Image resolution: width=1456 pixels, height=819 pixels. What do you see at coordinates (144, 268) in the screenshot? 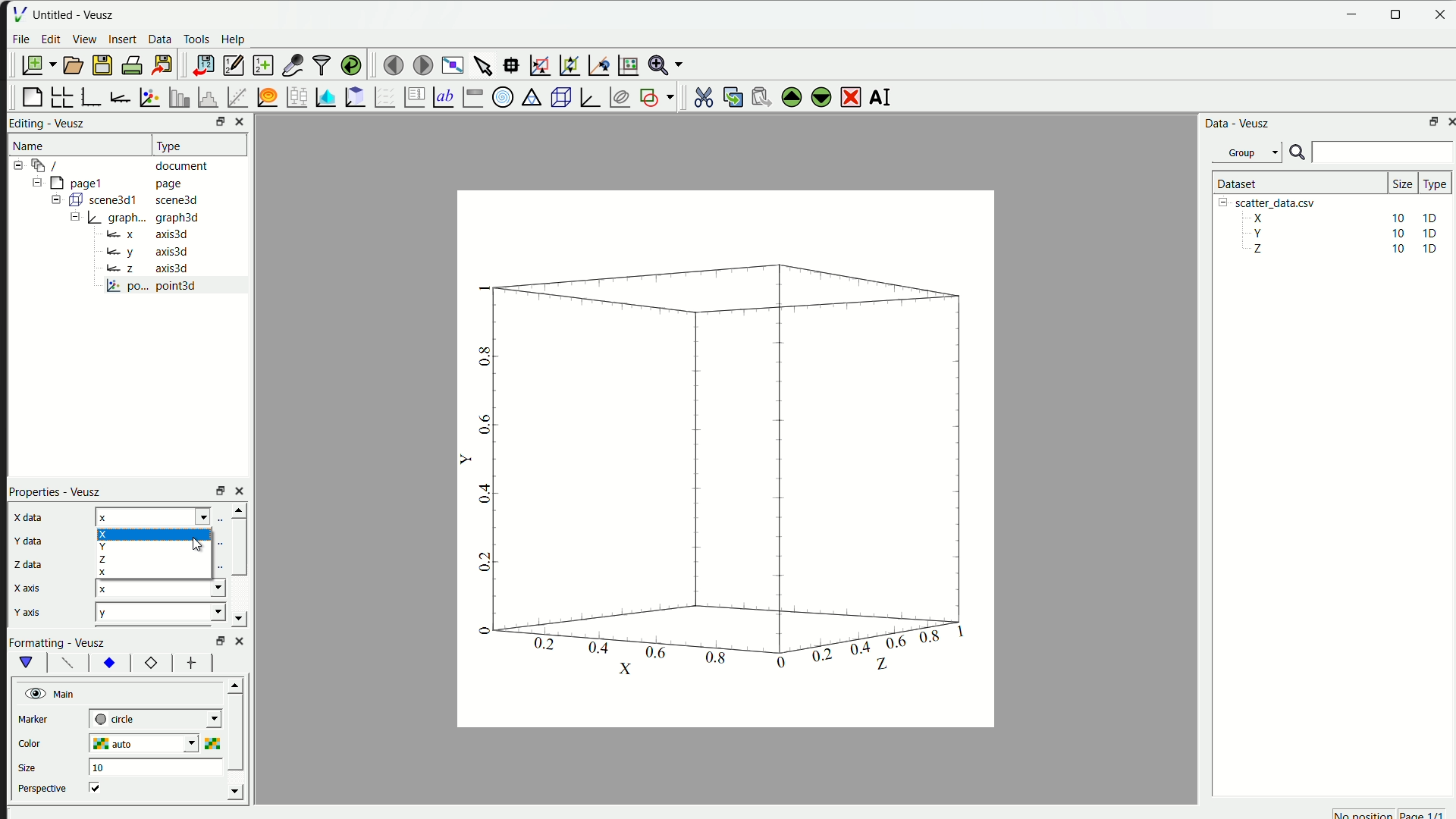
I see `Bz  axis3d` at bounding box center [144, 268].